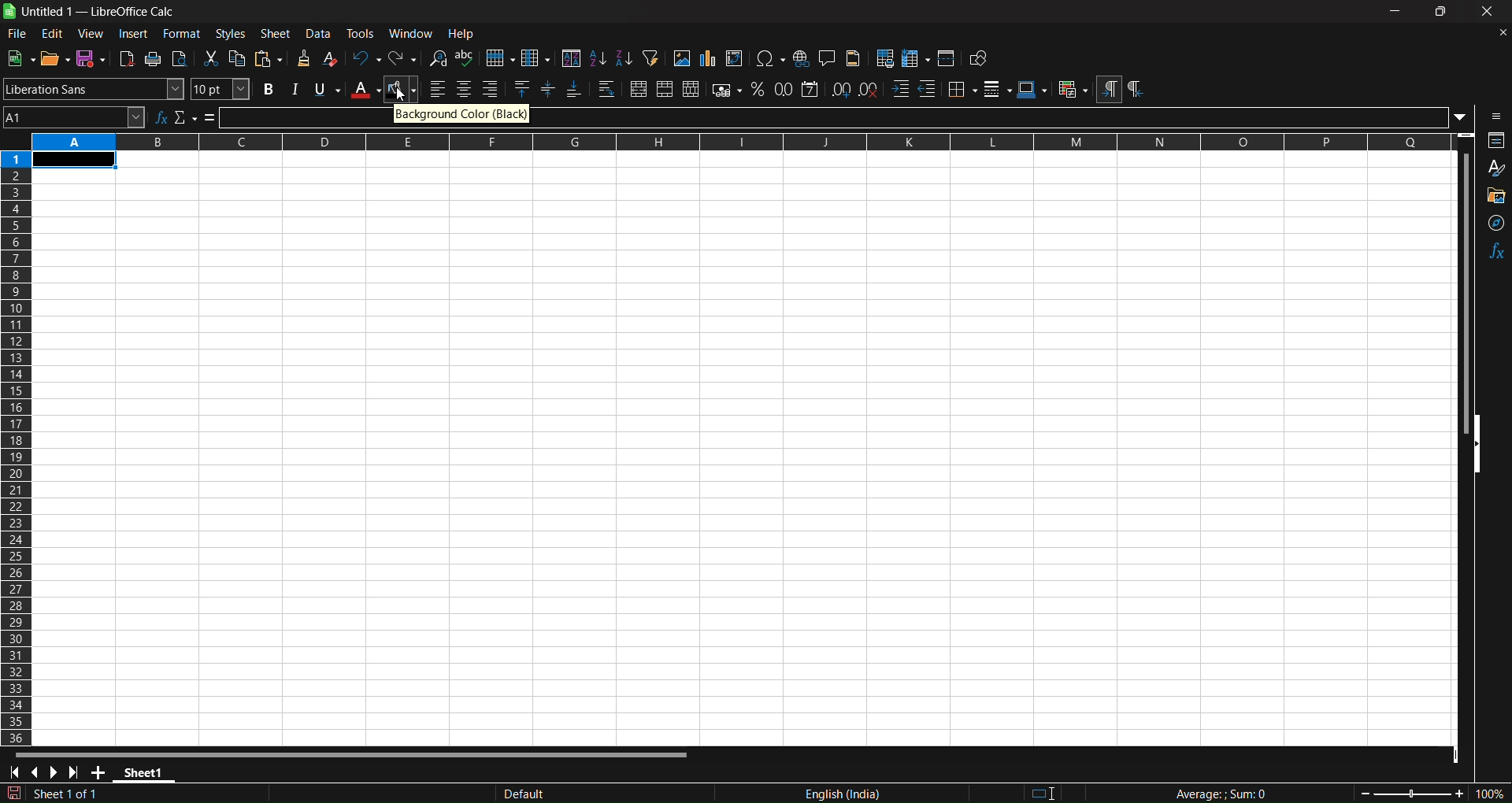 The image size is (1512, 803). I want to click on font color, so click(365, 90).